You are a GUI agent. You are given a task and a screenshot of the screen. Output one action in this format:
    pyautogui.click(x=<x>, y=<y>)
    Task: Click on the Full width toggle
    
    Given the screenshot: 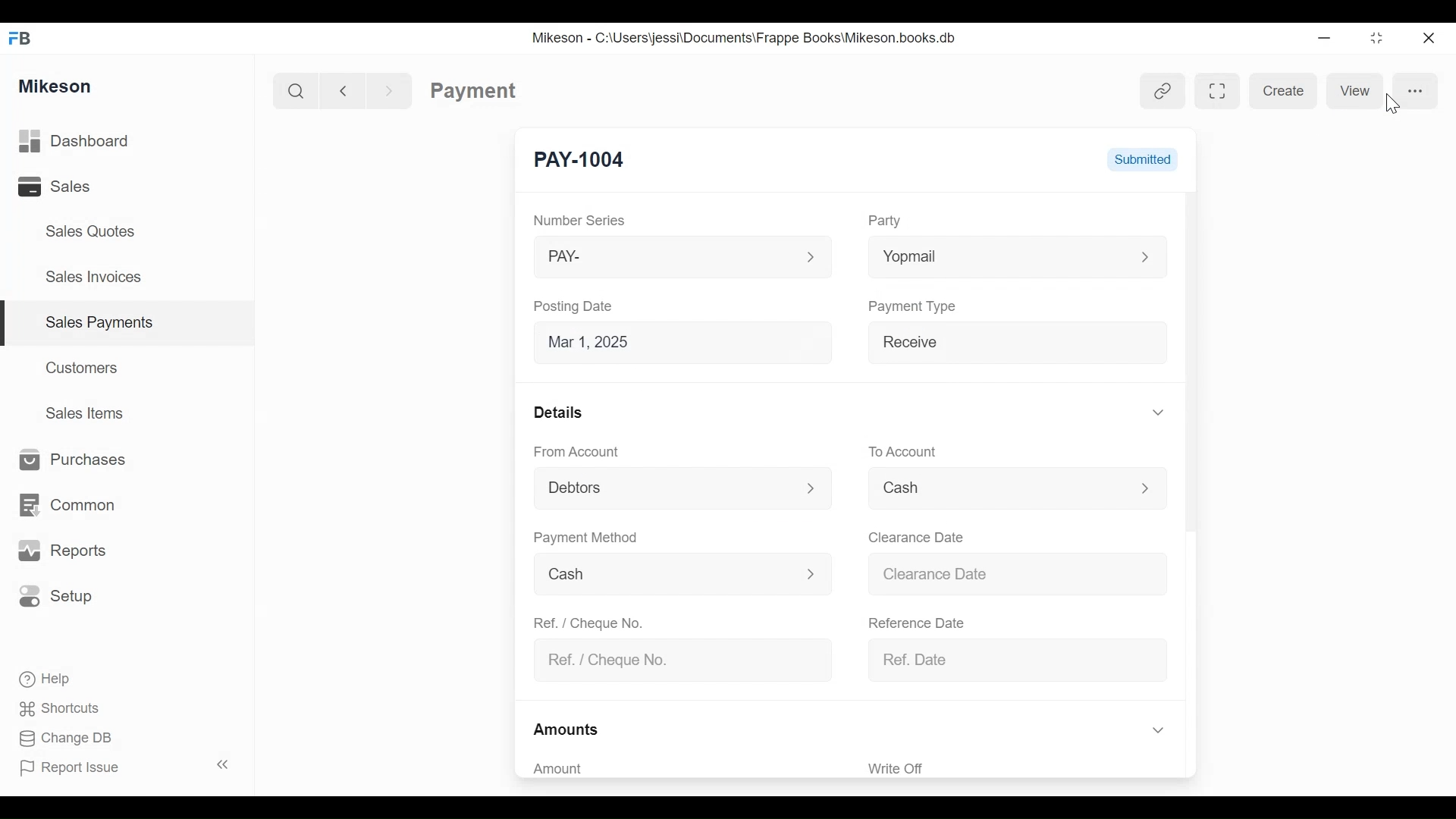 What is the action you would take?
    pyautogui.click(x=1214, y=89)
    